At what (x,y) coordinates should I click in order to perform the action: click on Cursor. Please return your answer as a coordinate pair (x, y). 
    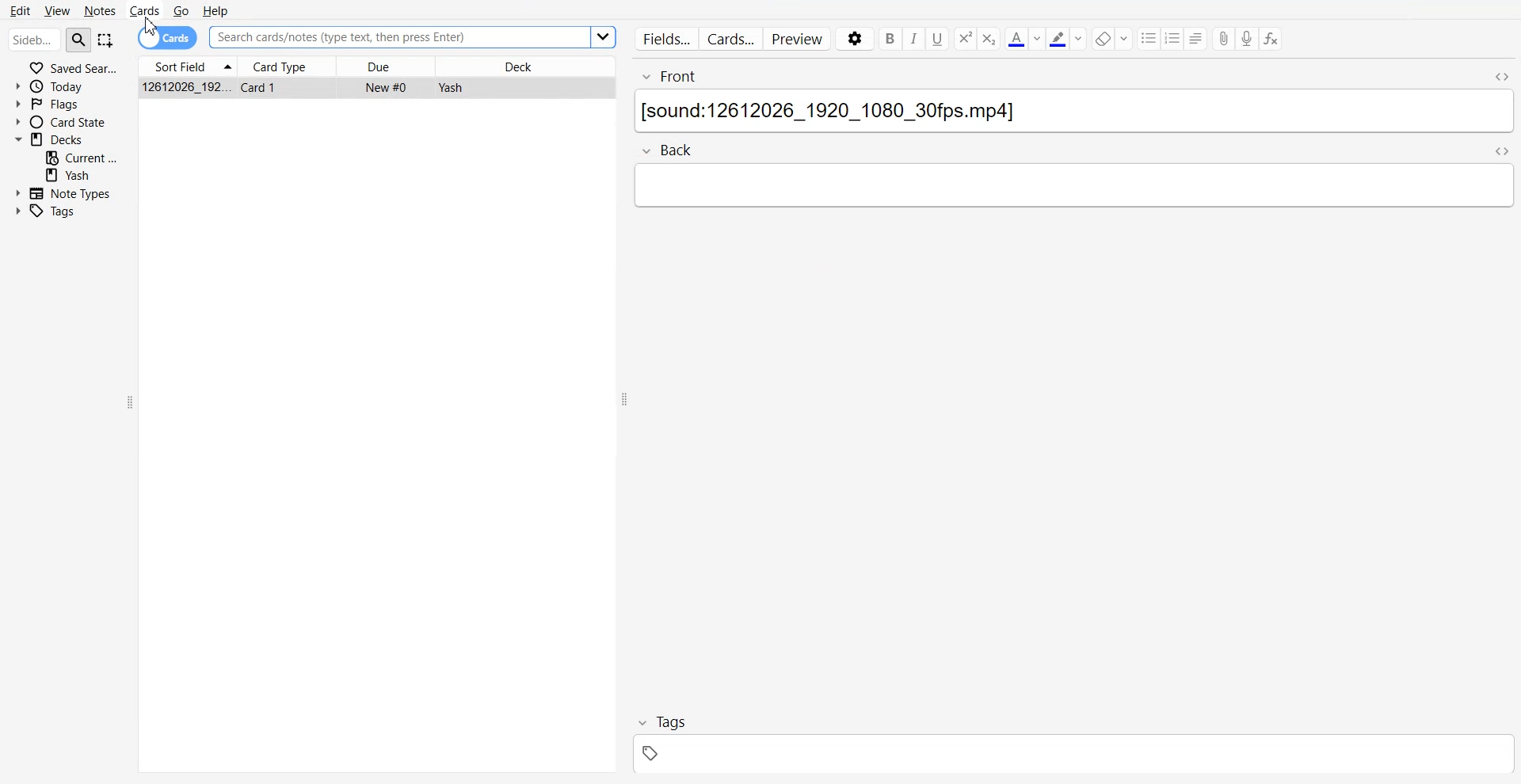
    Looking at the image, I should click on (153, 28).